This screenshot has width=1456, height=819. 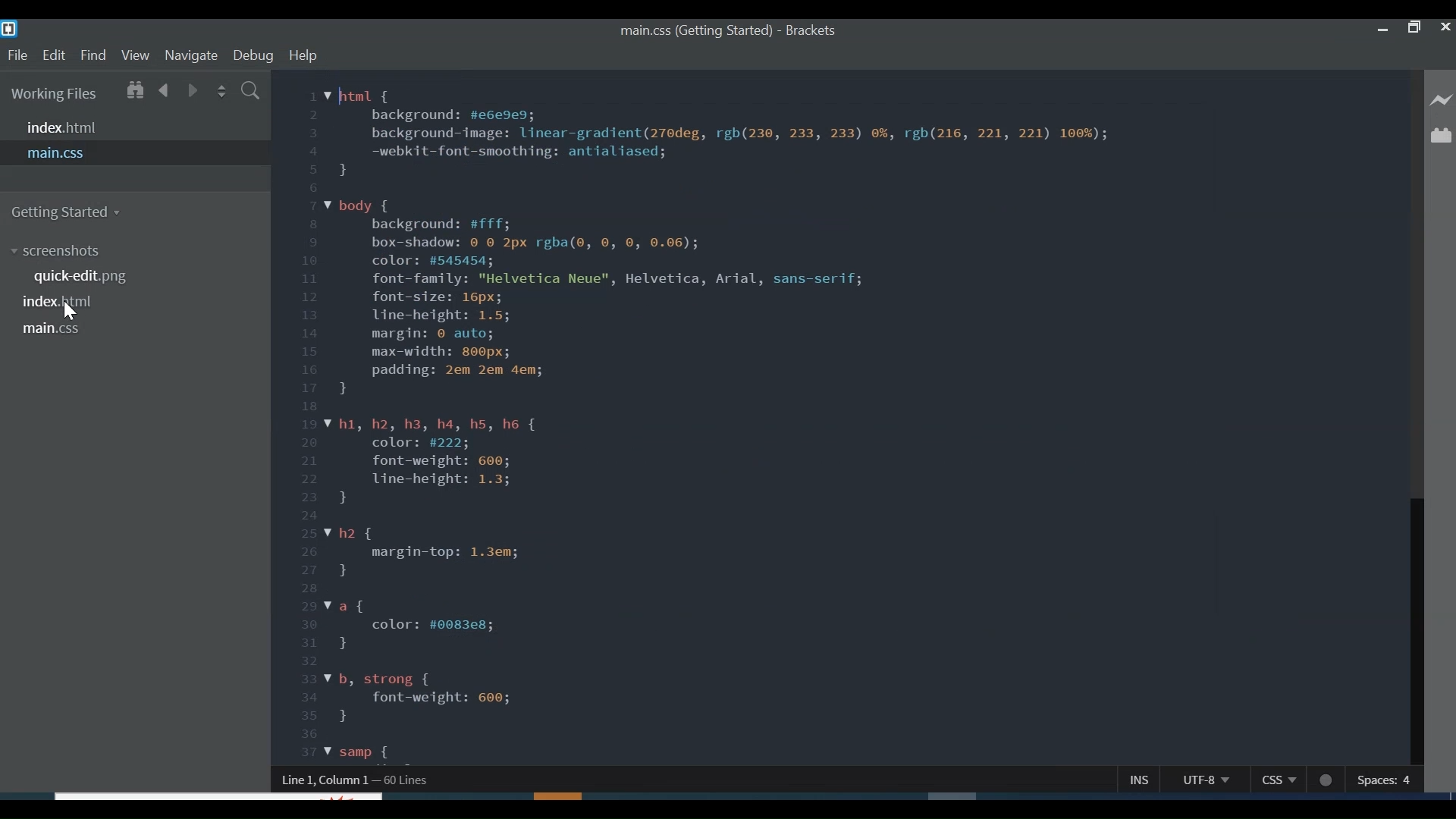 What do you see at coordinates (58, 329) in the screenshot?
I see `main.css file` at bounding box center [58, 329].